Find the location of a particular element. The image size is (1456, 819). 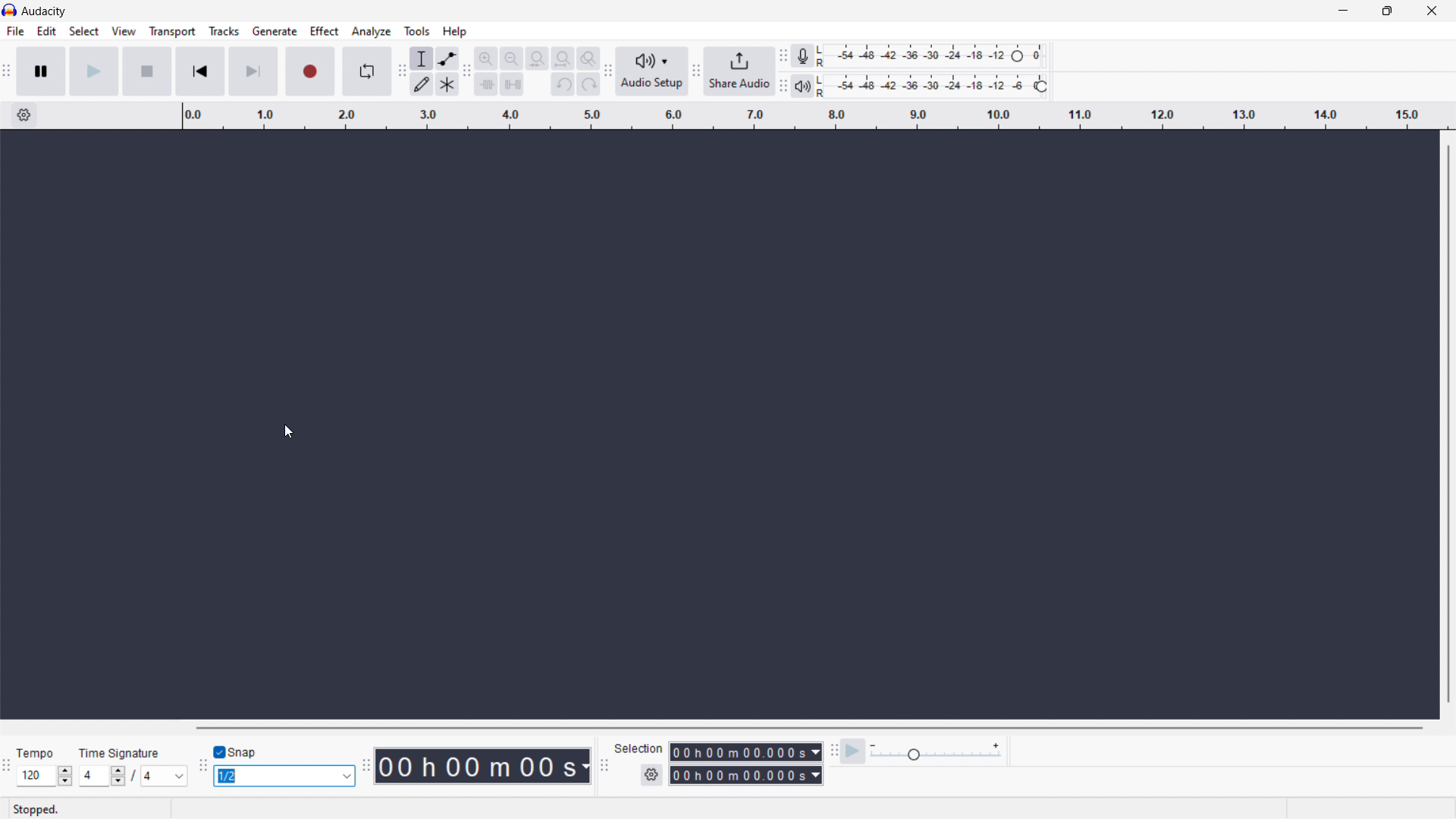

share audio is located at coordinates (739, 71).